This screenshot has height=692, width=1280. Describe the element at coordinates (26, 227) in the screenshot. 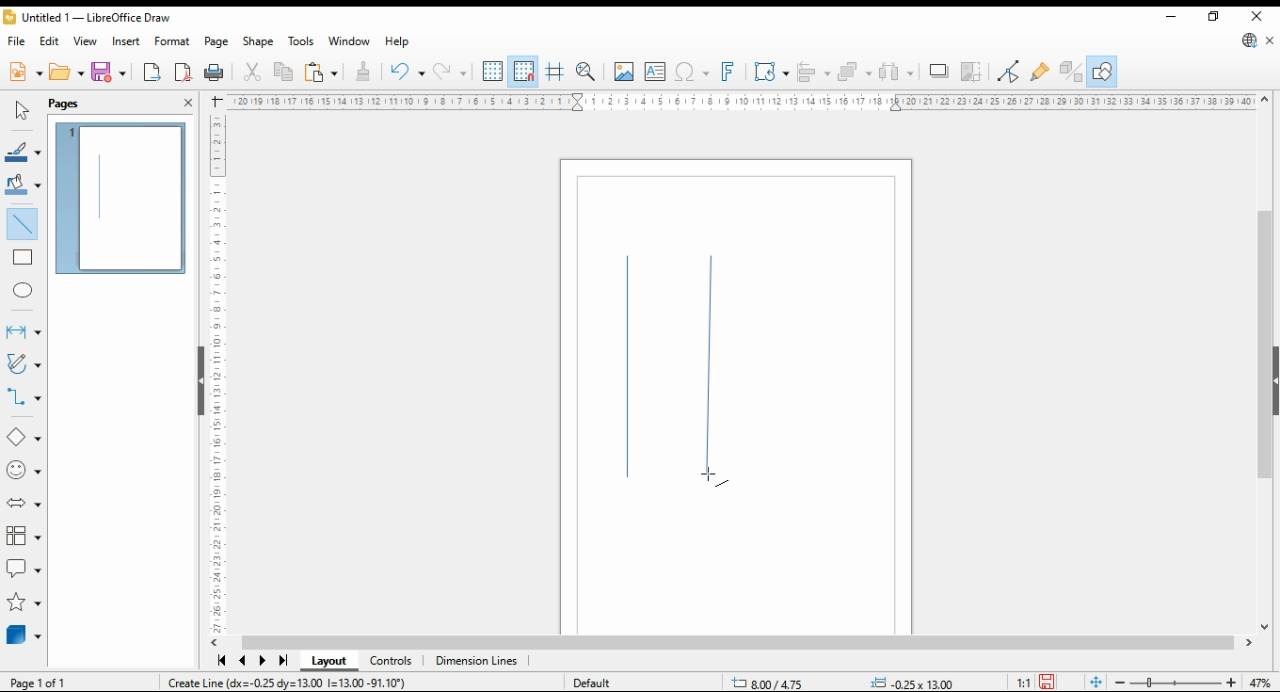

I see `insert line` at that location.